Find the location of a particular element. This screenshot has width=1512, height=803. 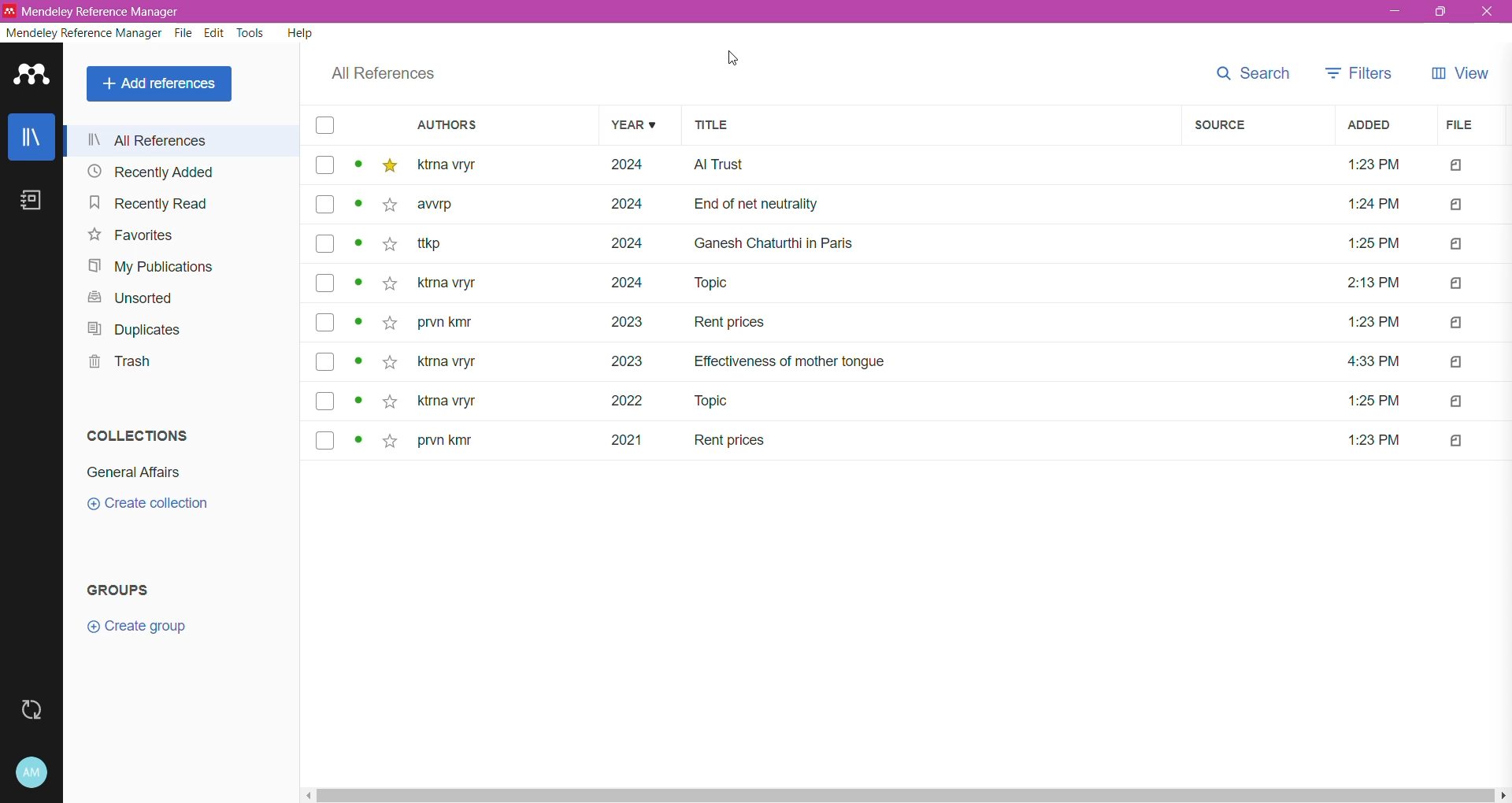

unread is located at coordinates (359, 282).